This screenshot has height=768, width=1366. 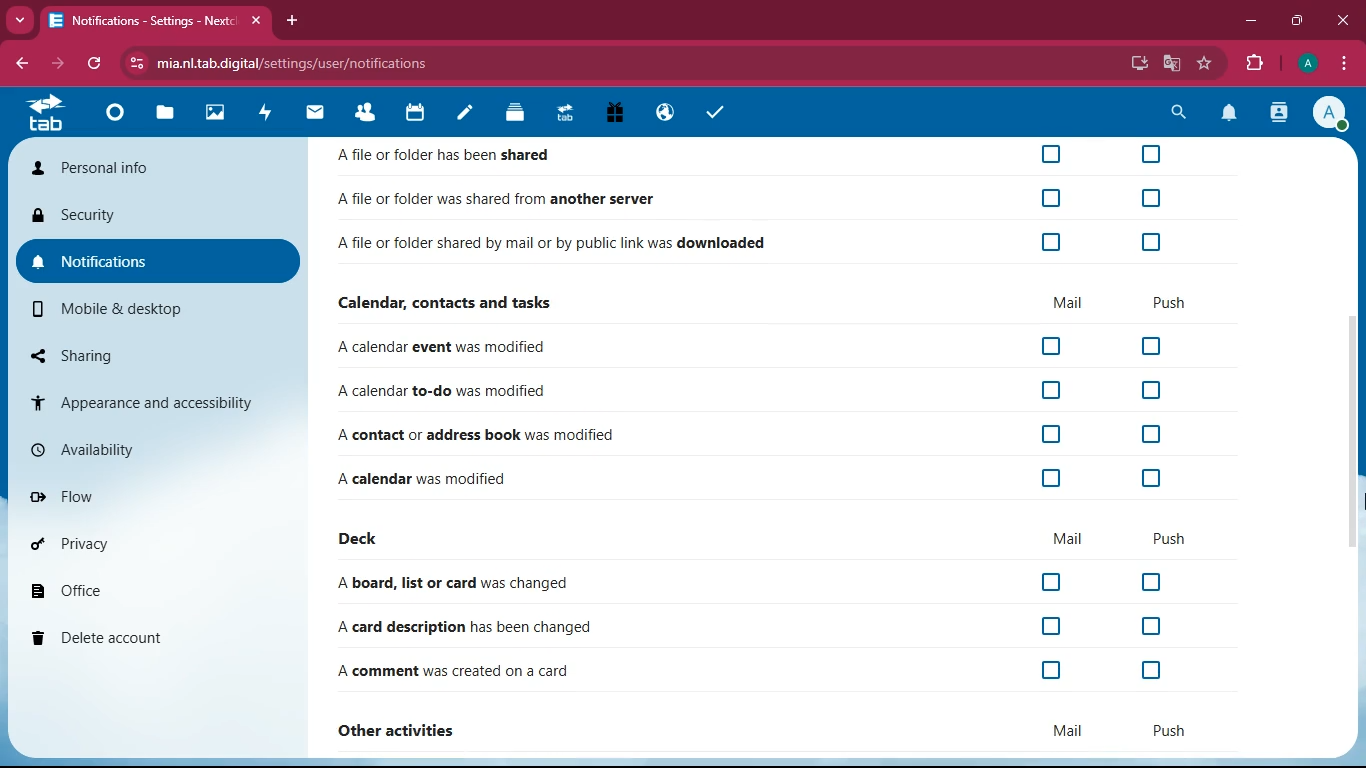 I want to click on off, so click(x=1149, y=673).